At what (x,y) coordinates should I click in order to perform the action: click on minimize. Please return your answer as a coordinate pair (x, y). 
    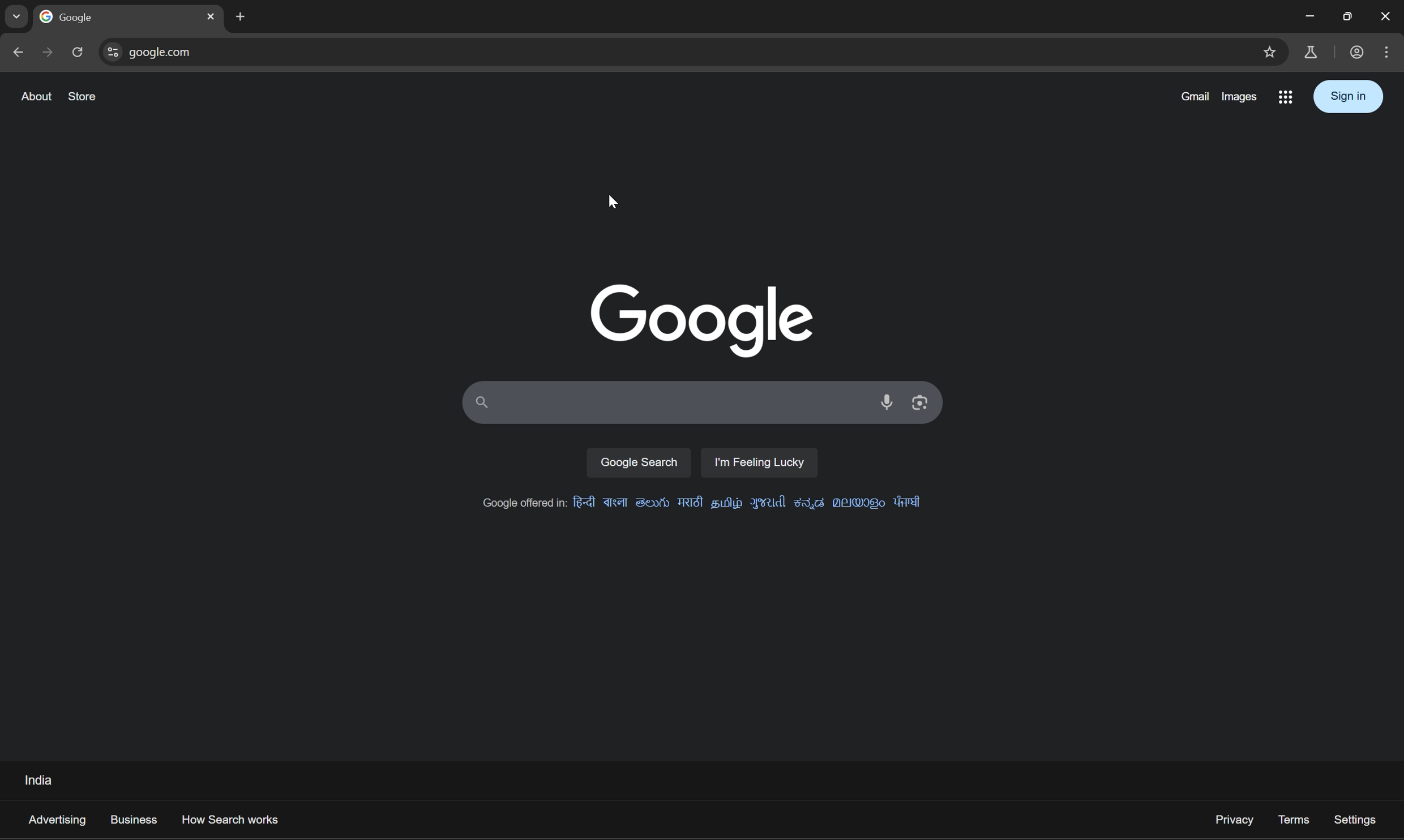
    Looking at the image, I should click on (1308, 16).